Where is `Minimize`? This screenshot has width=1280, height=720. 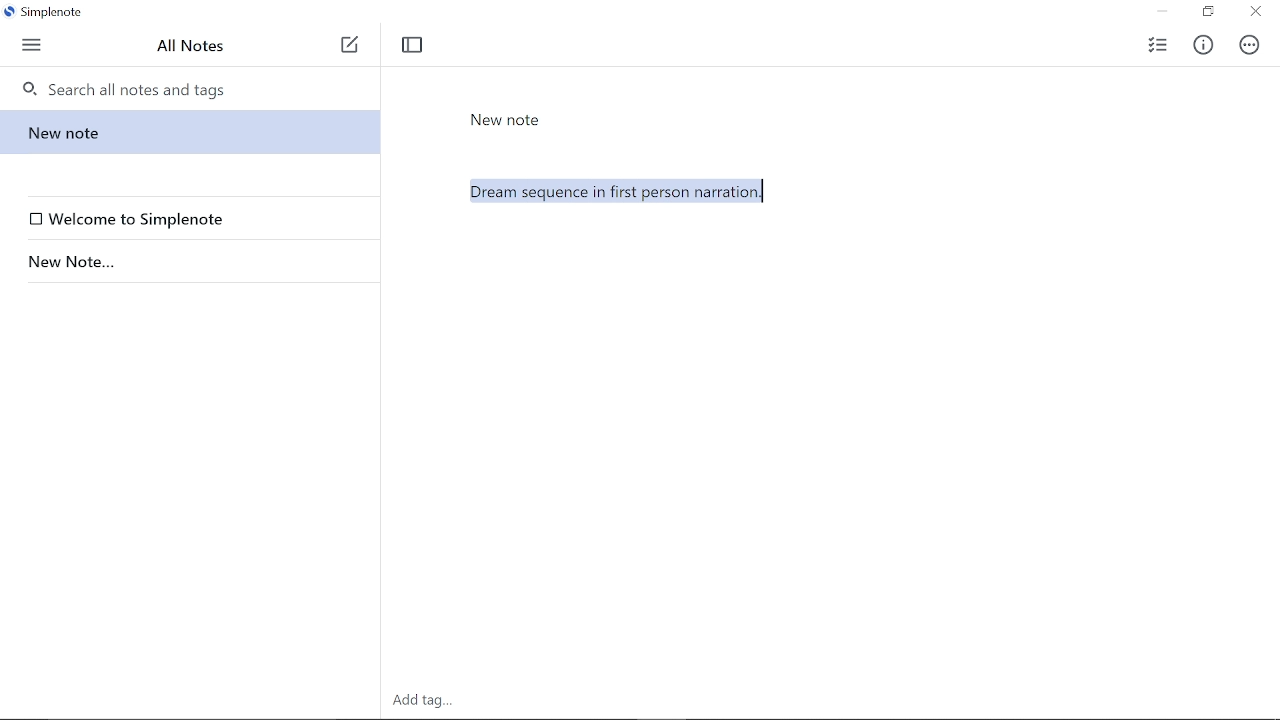 Minimize is located at coordinates (1162, 12).